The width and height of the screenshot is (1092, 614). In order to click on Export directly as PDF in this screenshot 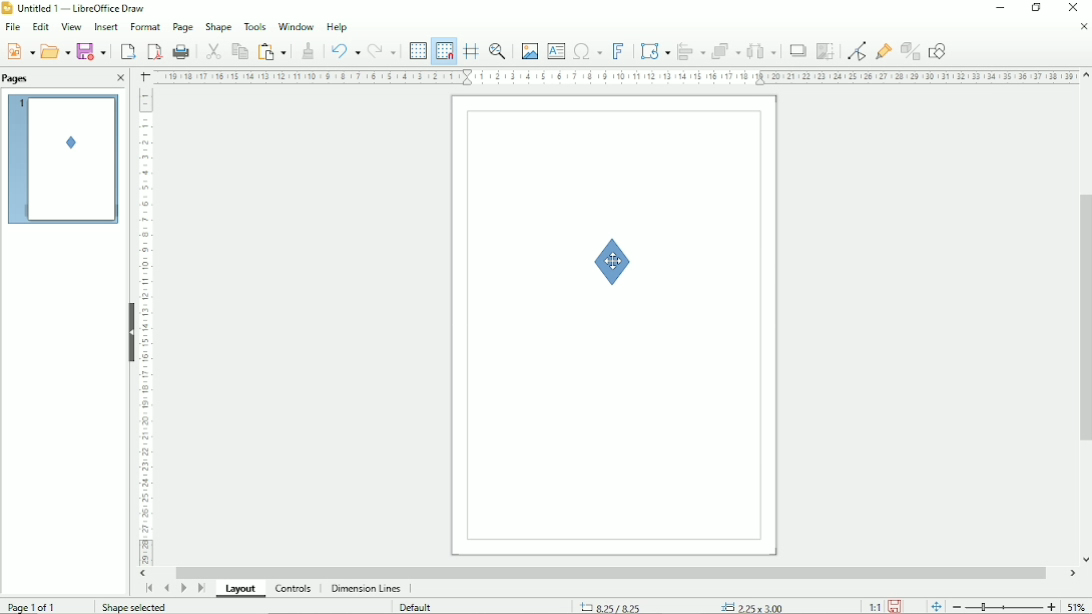, I will do `click(152, 50)`.